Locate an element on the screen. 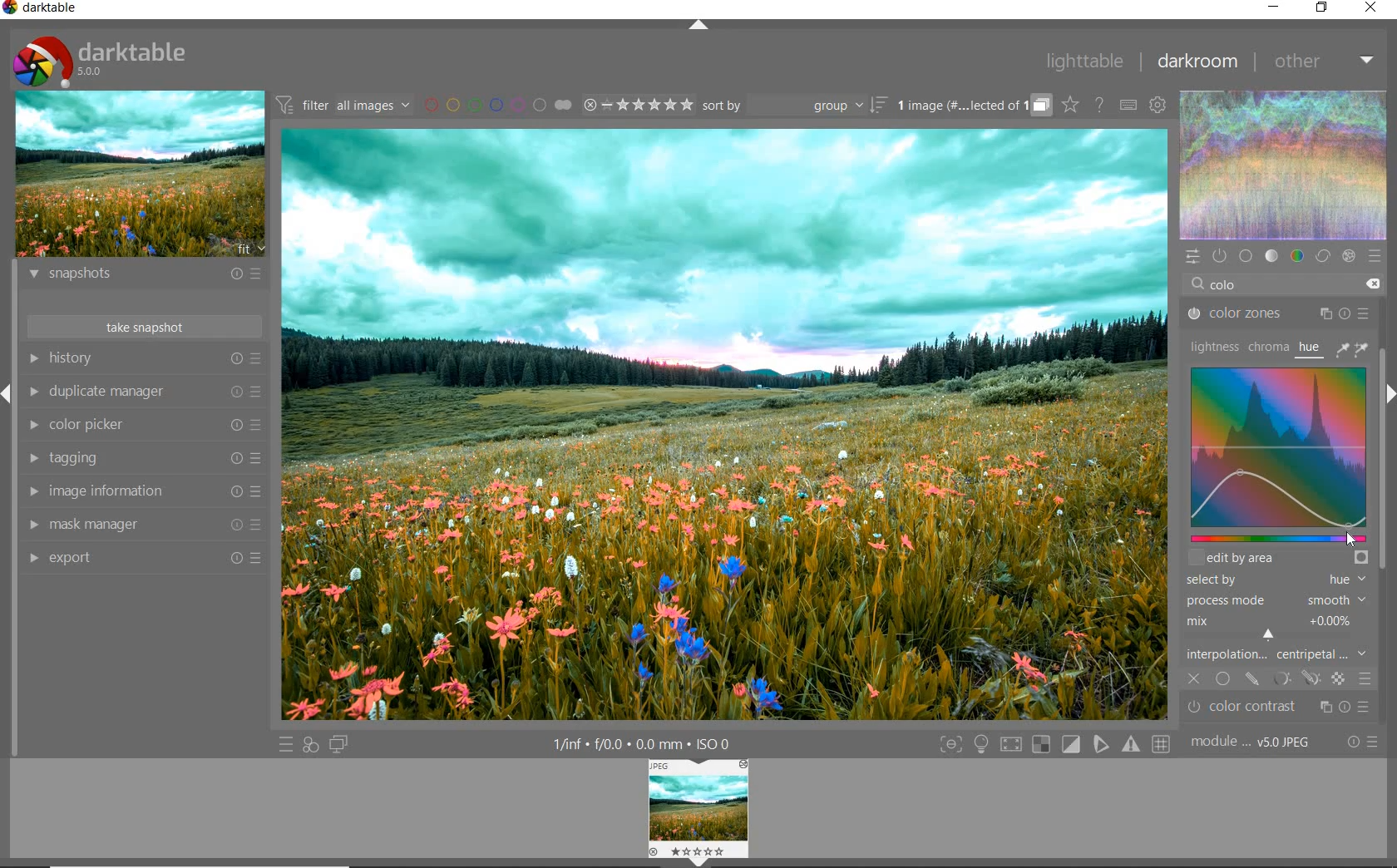 This screenshot has height=868, width=1397. filter all images by module order is located at coordinates (342, 106).